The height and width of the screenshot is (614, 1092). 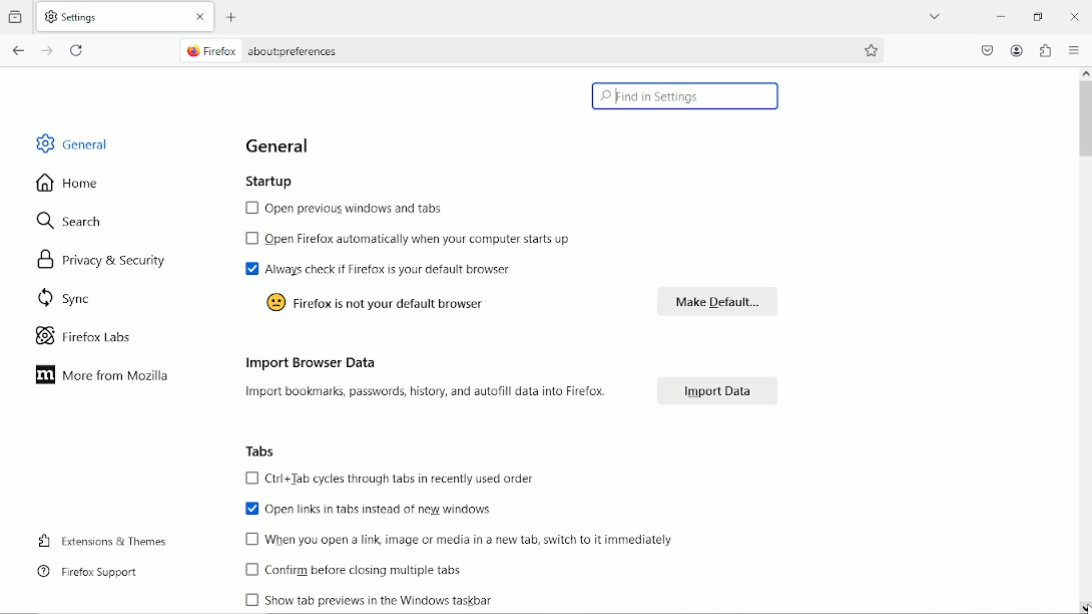 I want to click on reload current page, so click(x=77, y=49).